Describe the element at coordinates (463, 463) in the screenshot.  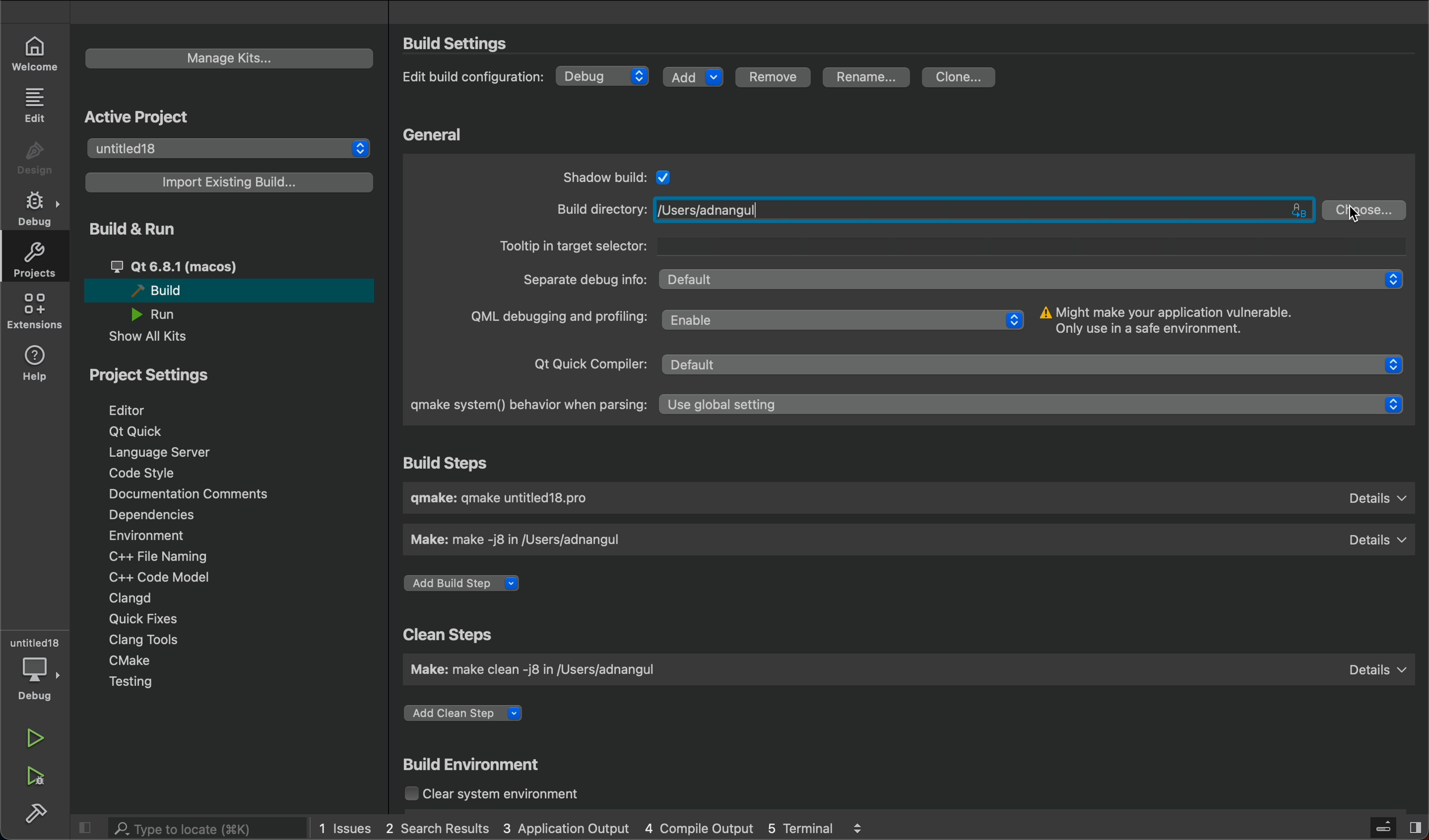
I see `build steps` at that location.